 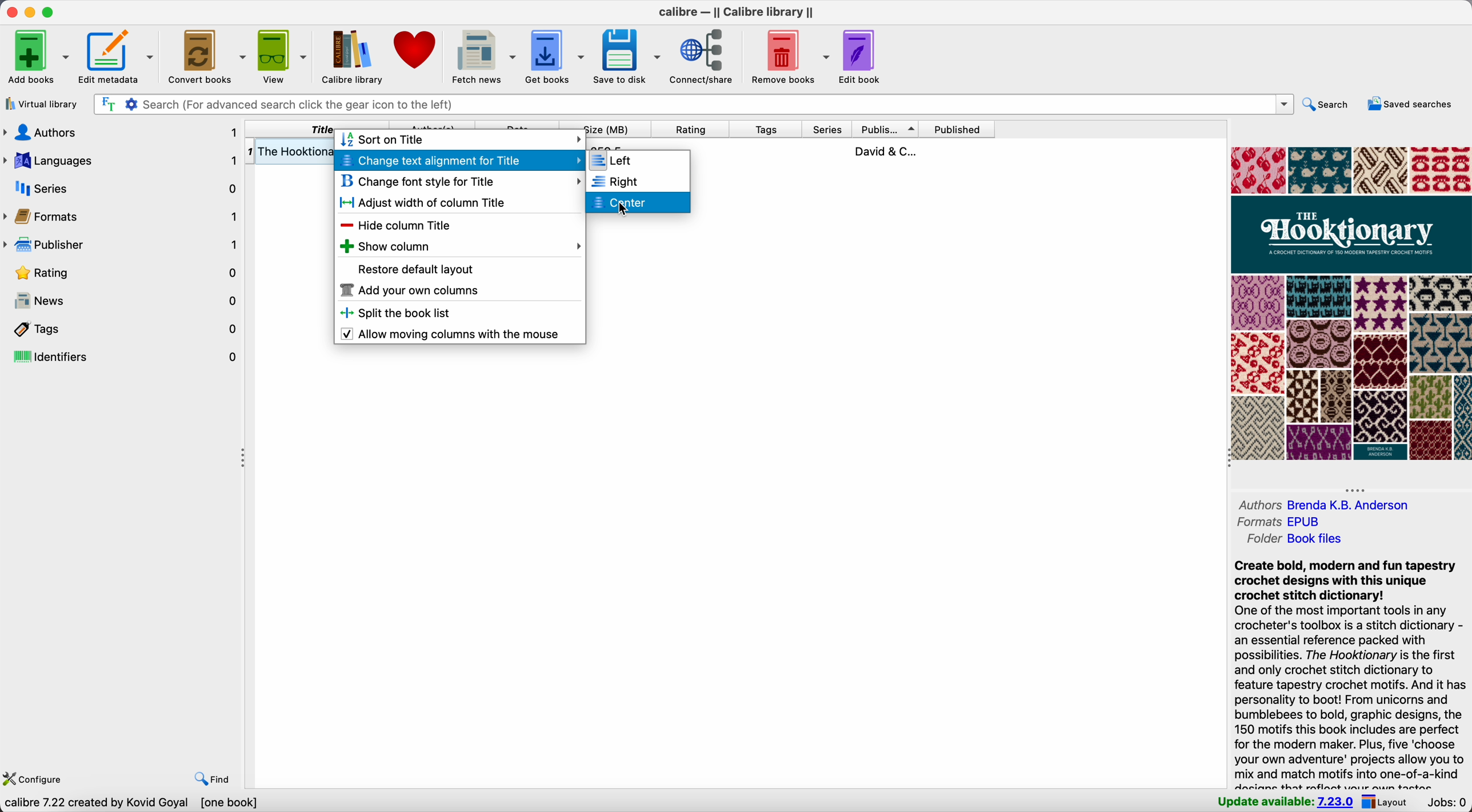 I want to click on donate, so click(x=415, y=52).